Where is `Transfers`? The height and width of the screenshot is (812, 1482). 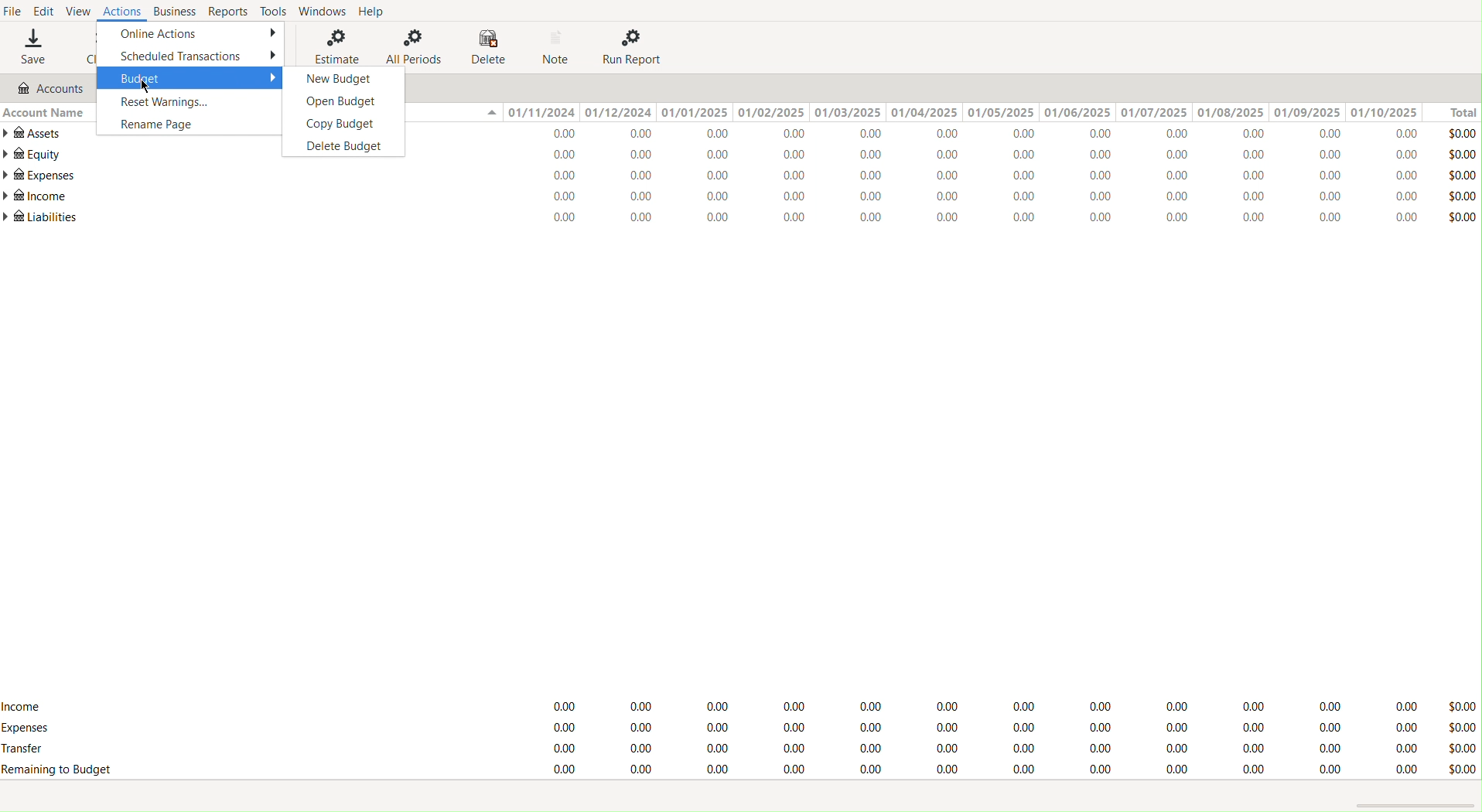 Transfers is located at coordinates (986, 746).